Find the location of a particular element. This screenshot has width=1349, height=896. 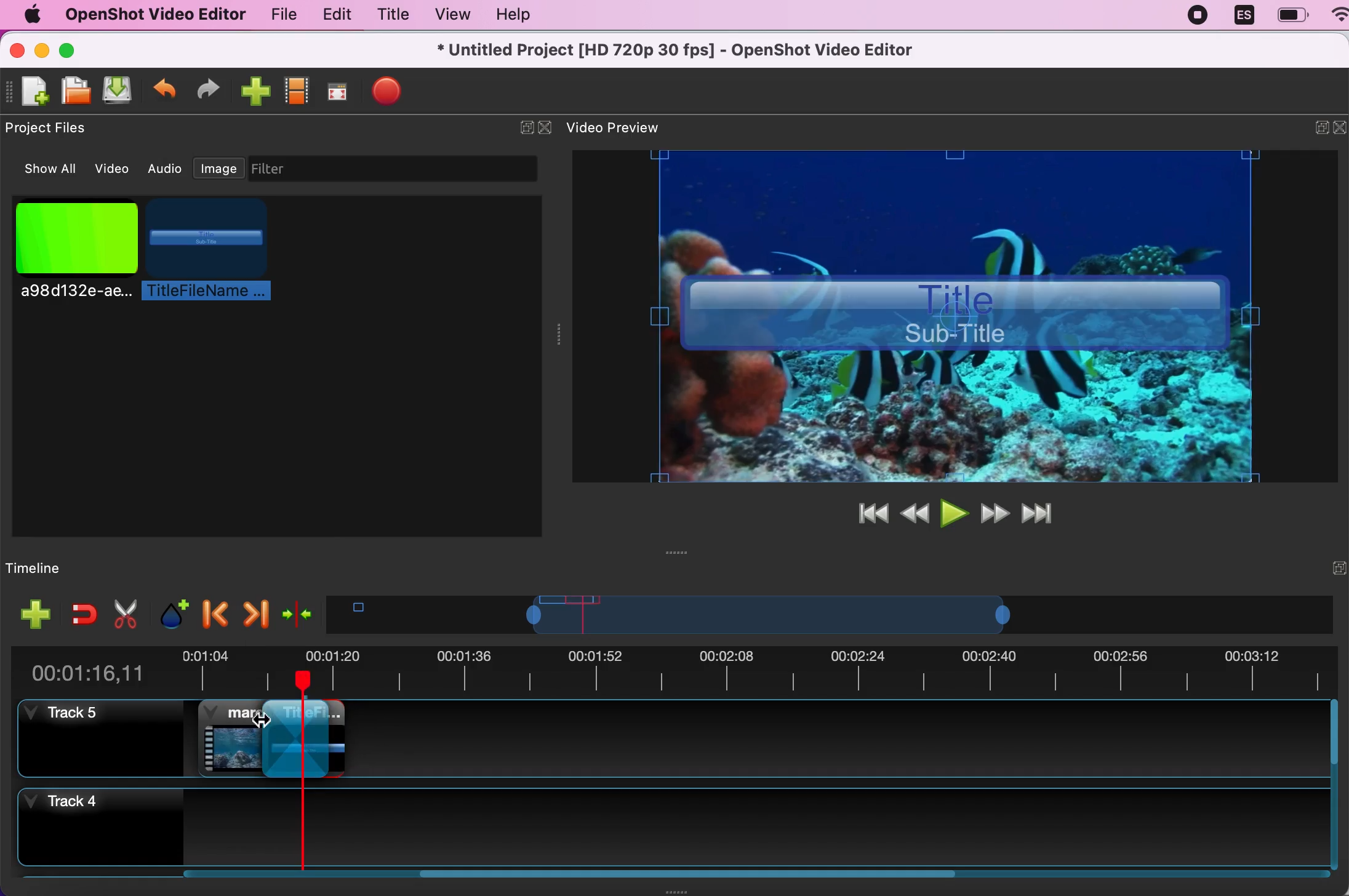

project files is located at coordinates (52, 129).